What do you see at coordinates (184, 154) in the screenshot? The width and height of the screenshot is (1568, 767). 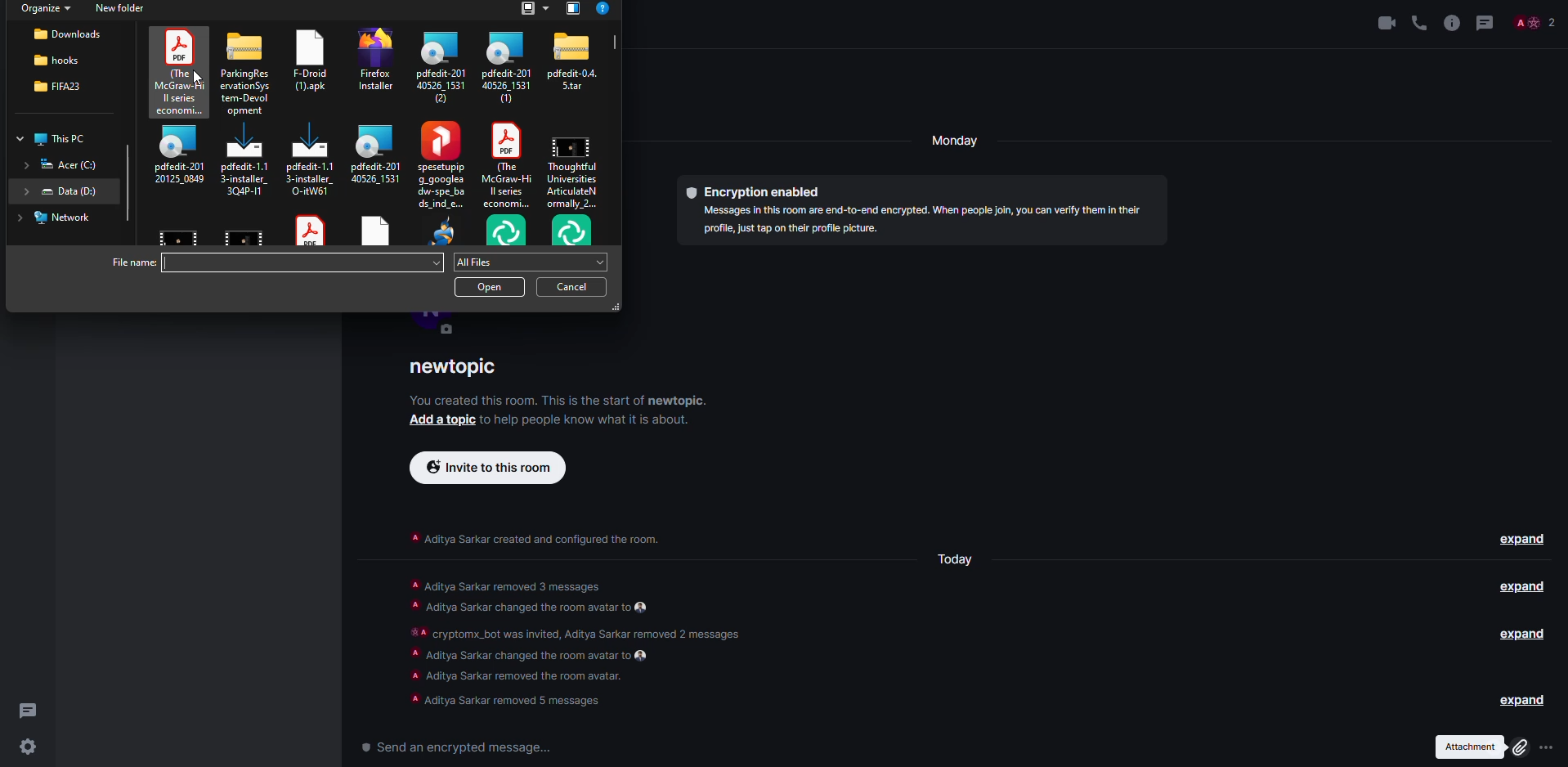 I see `file` at bounding box center [184, 154].